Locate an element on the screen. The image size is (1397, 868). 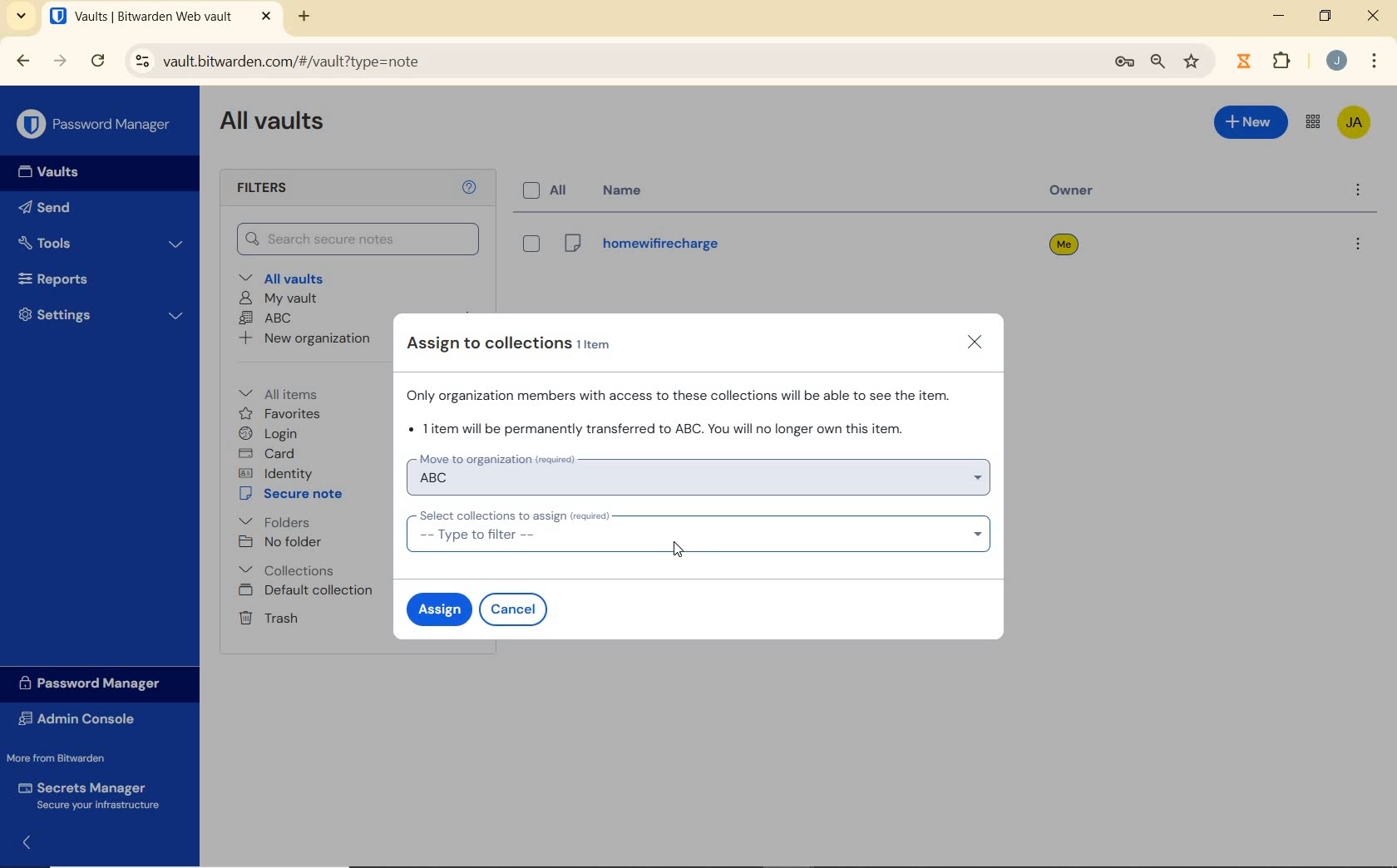
My Vault is located at coordinates (278, 299).